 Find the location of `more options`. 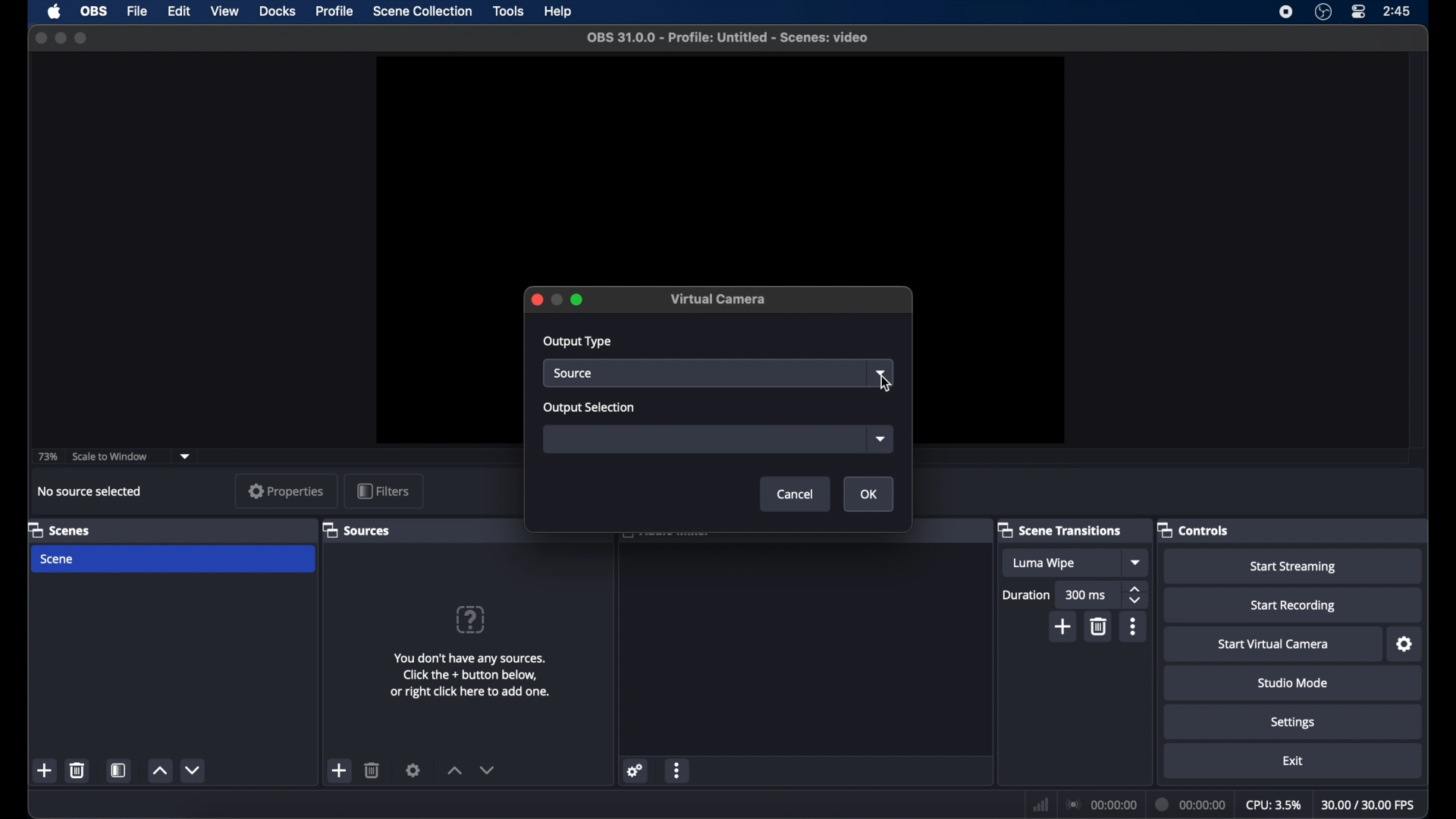

more options is located at coordinates (678, 770).